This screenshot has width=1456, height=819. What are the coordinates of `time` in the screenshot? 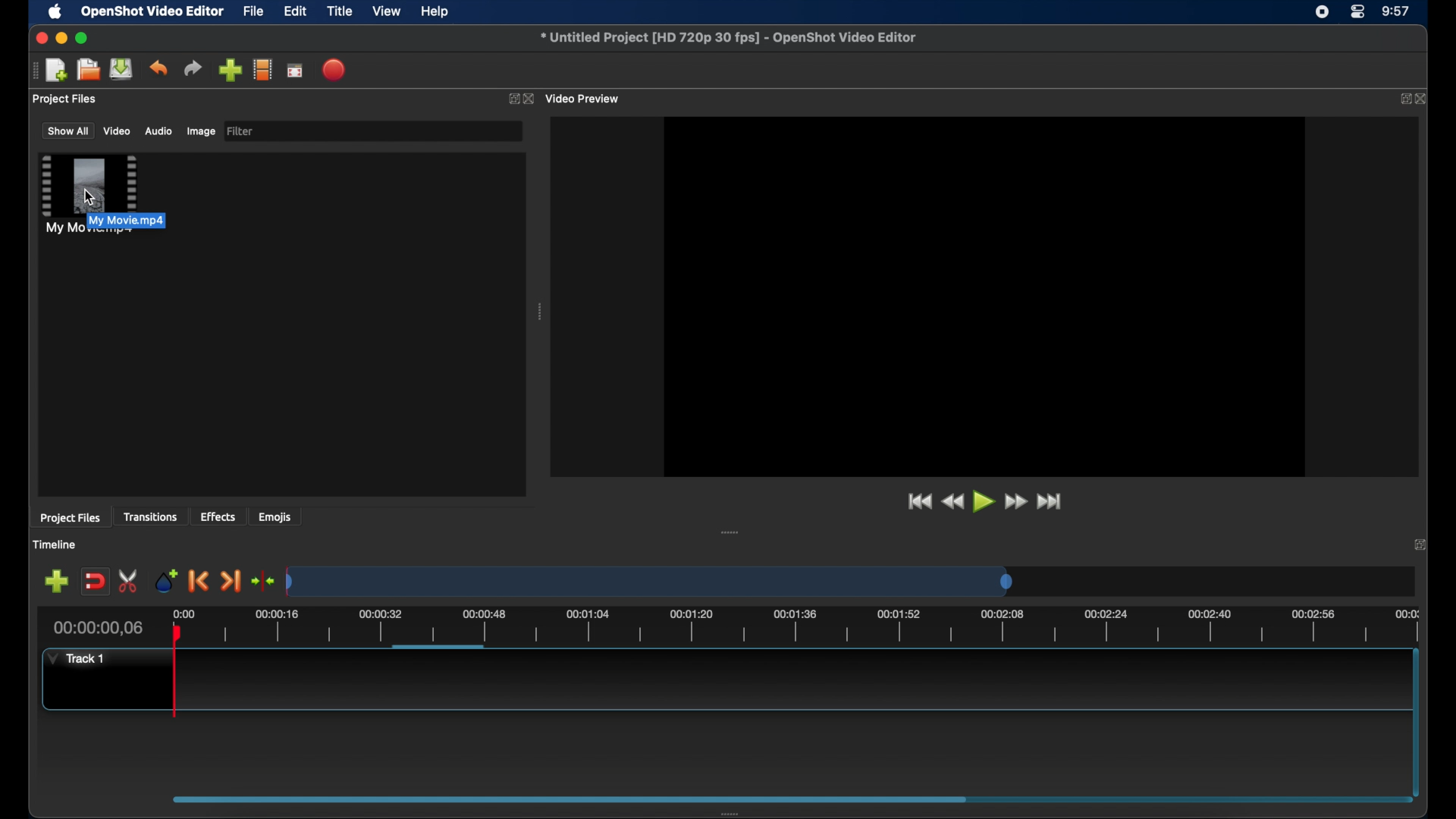 It's located at (1397, 12).